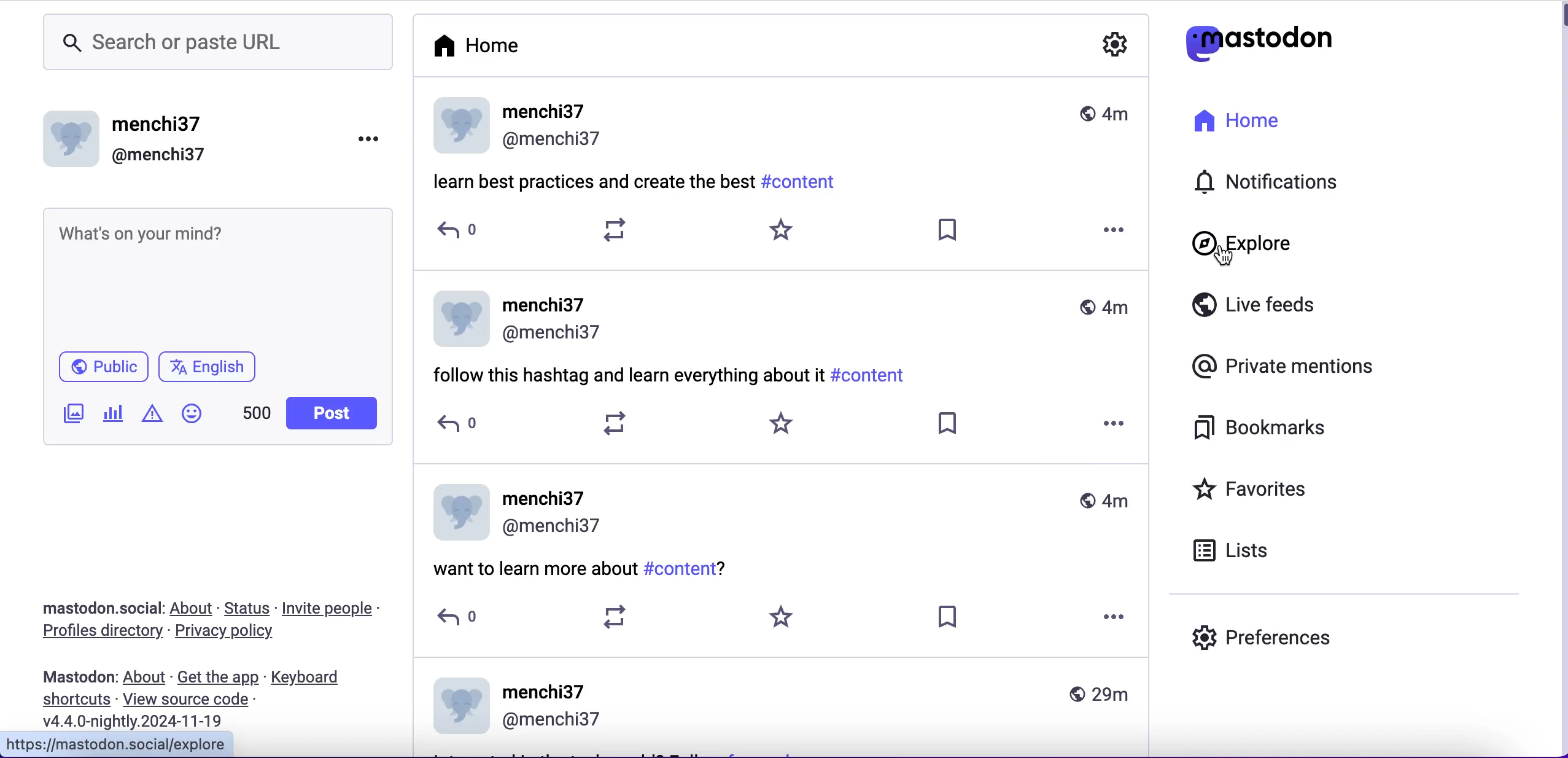 The height and width of the screenshot is (758, 1568). What do you see at coordinates (874, 377) in the screenshot?
I see `hashtag` at bounding box center [874, 377].